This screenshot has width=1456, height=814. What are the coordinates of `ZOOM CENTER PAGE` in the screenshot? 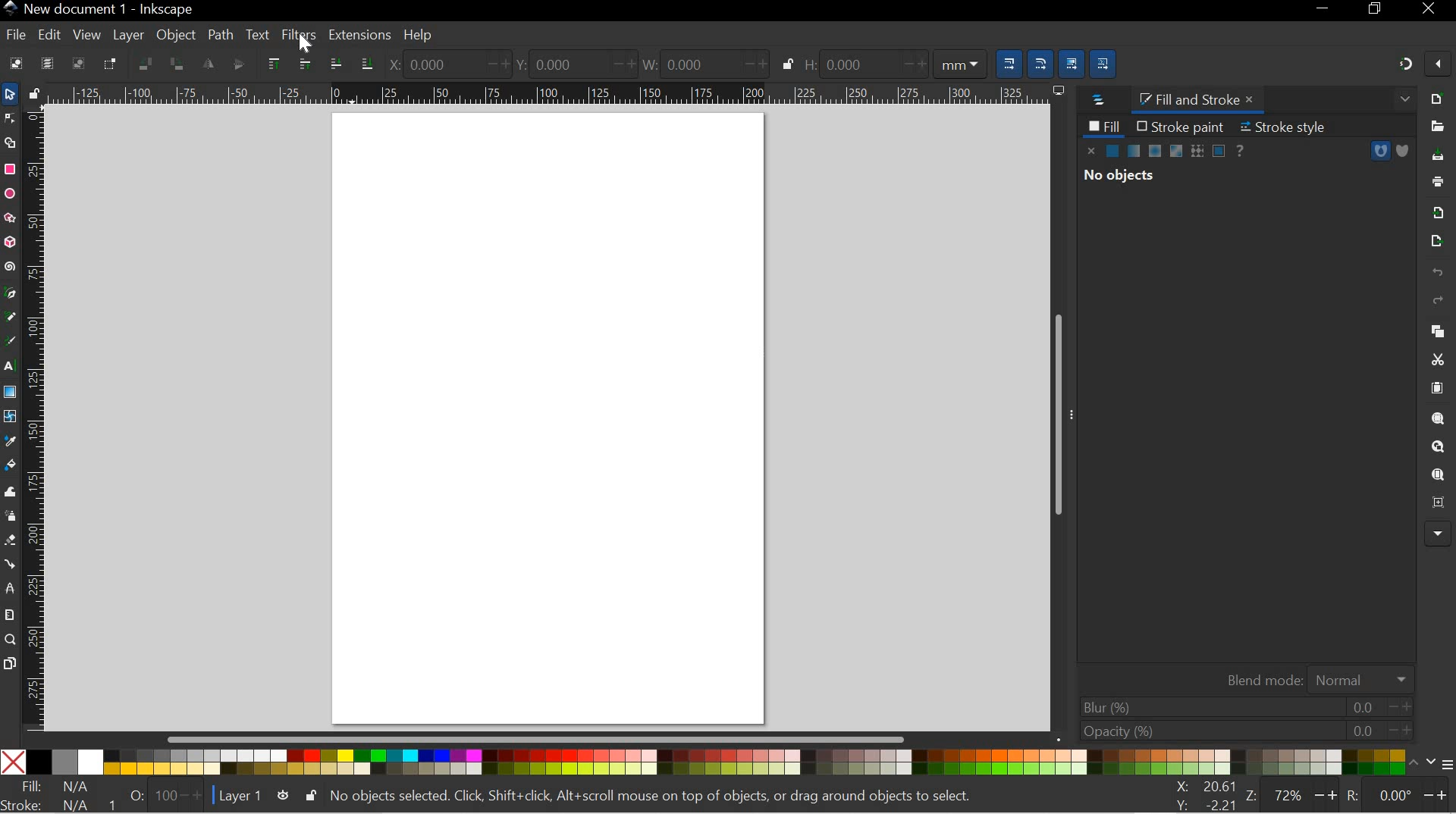 It's located at (1435, 503).